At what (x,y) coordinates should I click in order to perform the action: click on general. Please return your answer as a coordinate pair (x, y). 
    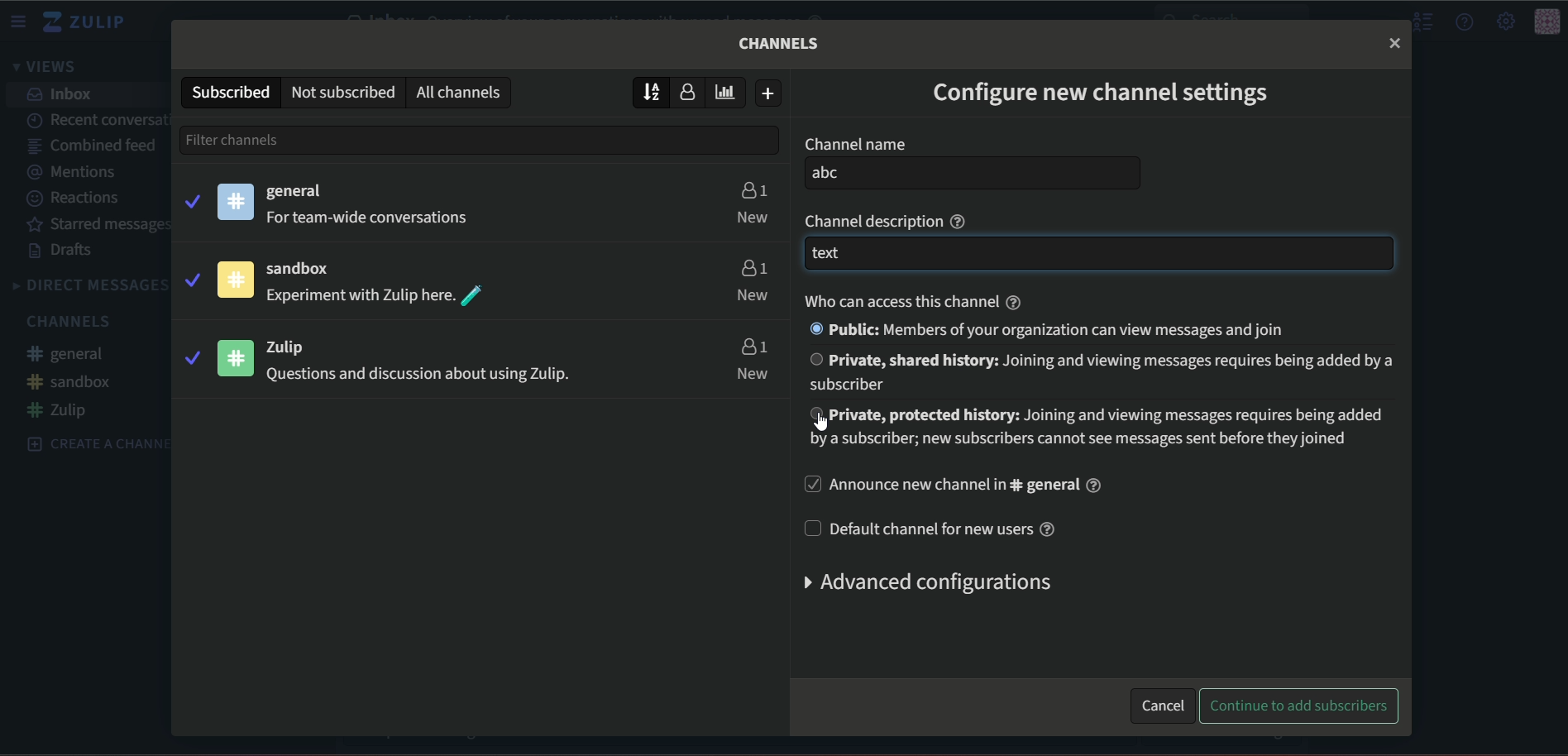
    Looking at the image, I should click on (299, 192).